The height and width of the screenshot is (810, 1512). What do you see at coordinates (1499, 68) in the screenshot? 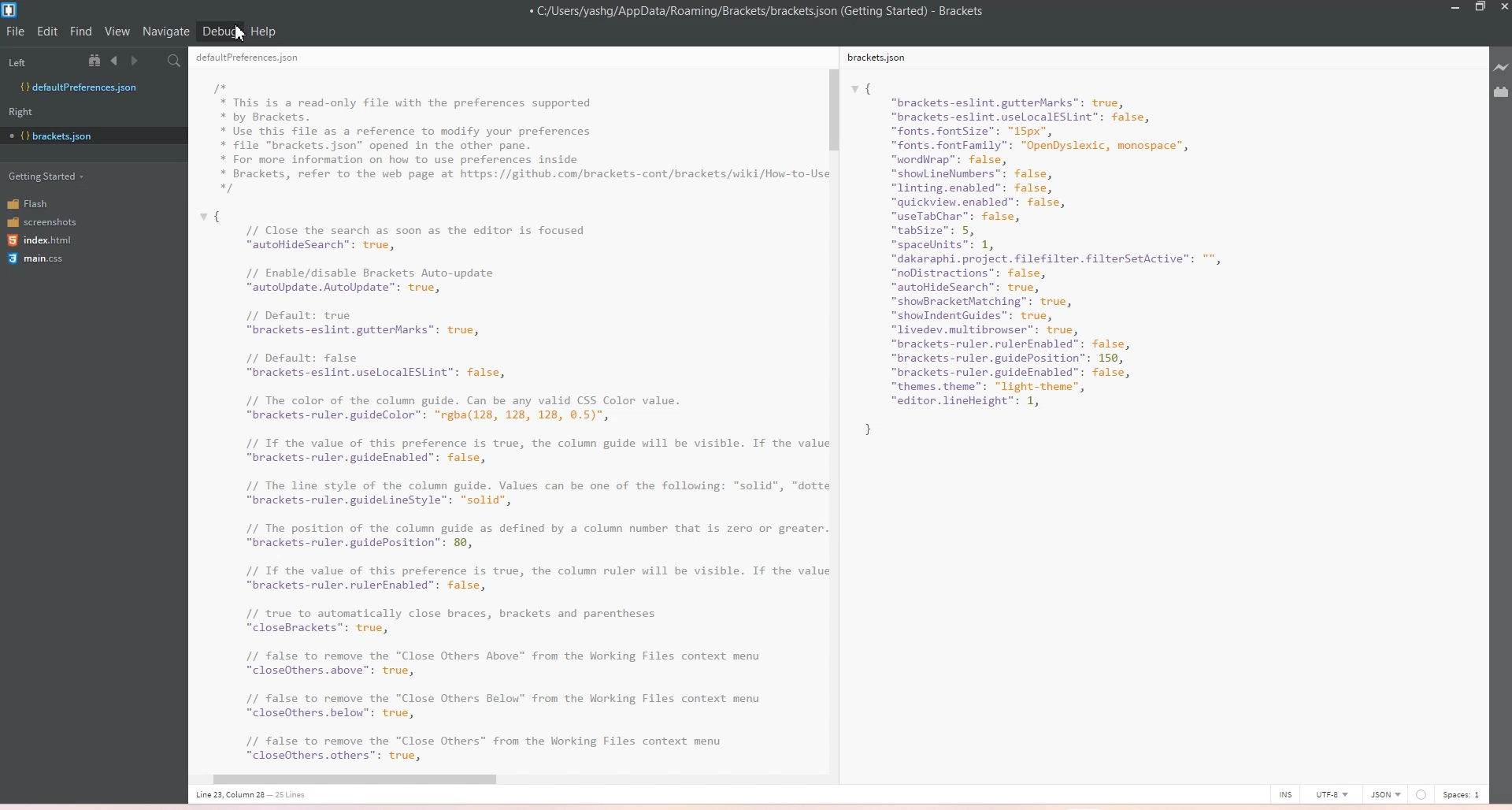
I see `Live Preview` at bounding box center [1499, 68].